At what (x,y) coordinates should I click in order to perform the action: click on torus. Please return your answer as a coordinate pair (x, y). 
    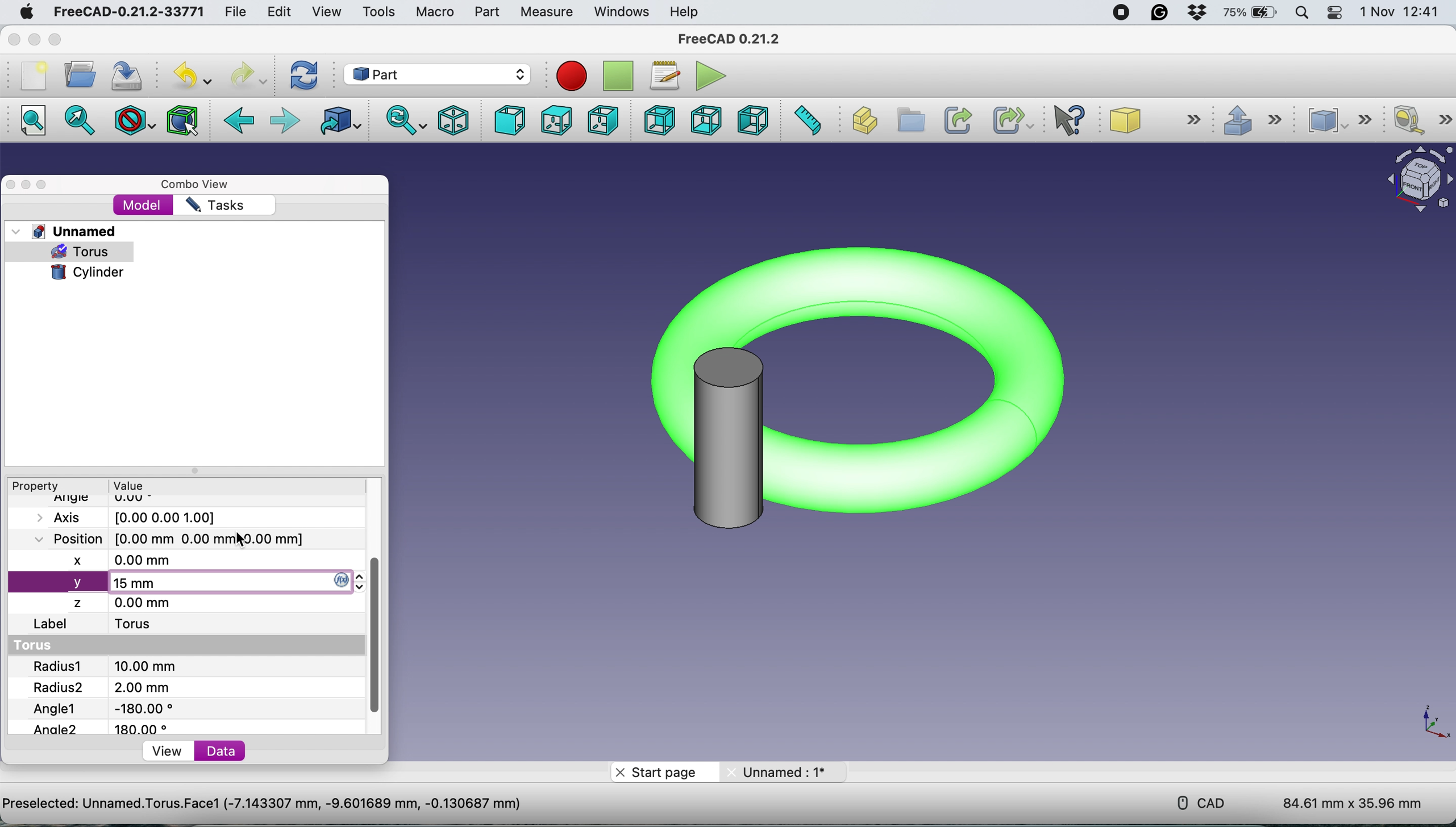
    Looking at the image, I should click on (89, 252).